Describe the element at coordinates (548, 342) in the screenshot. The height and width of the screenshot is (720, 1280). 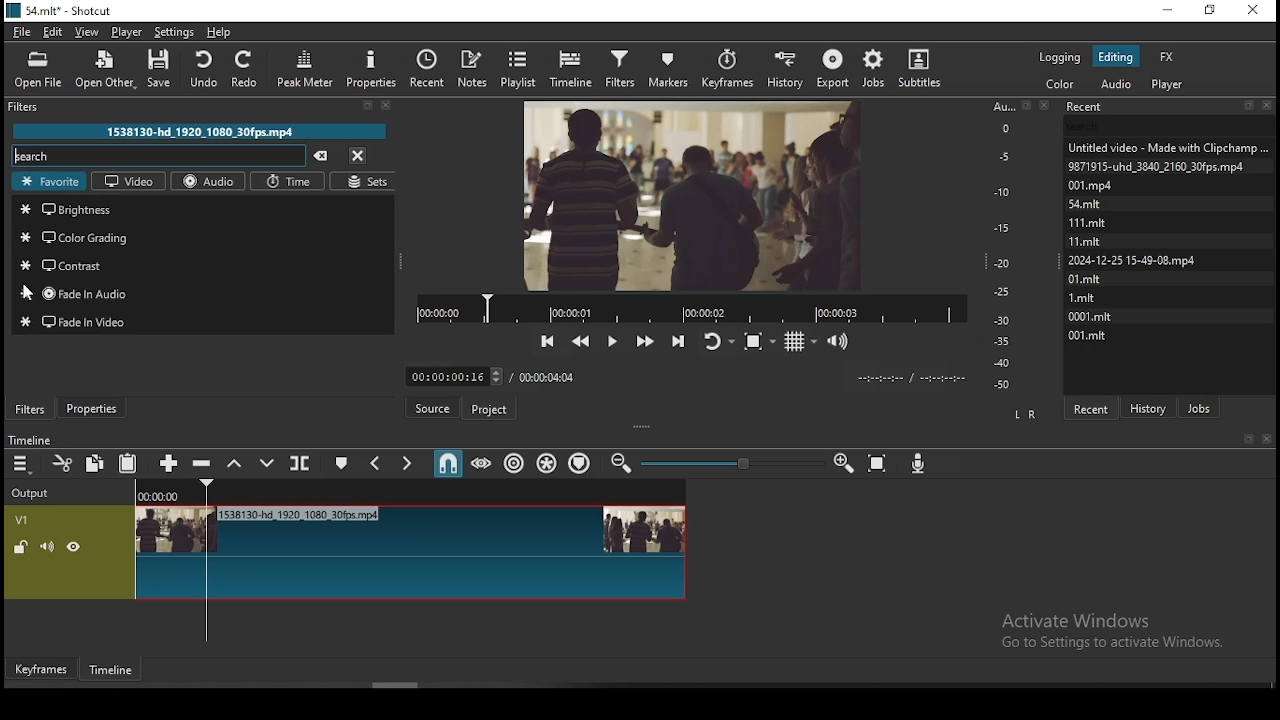
I see `skip to the previous point` at that location.